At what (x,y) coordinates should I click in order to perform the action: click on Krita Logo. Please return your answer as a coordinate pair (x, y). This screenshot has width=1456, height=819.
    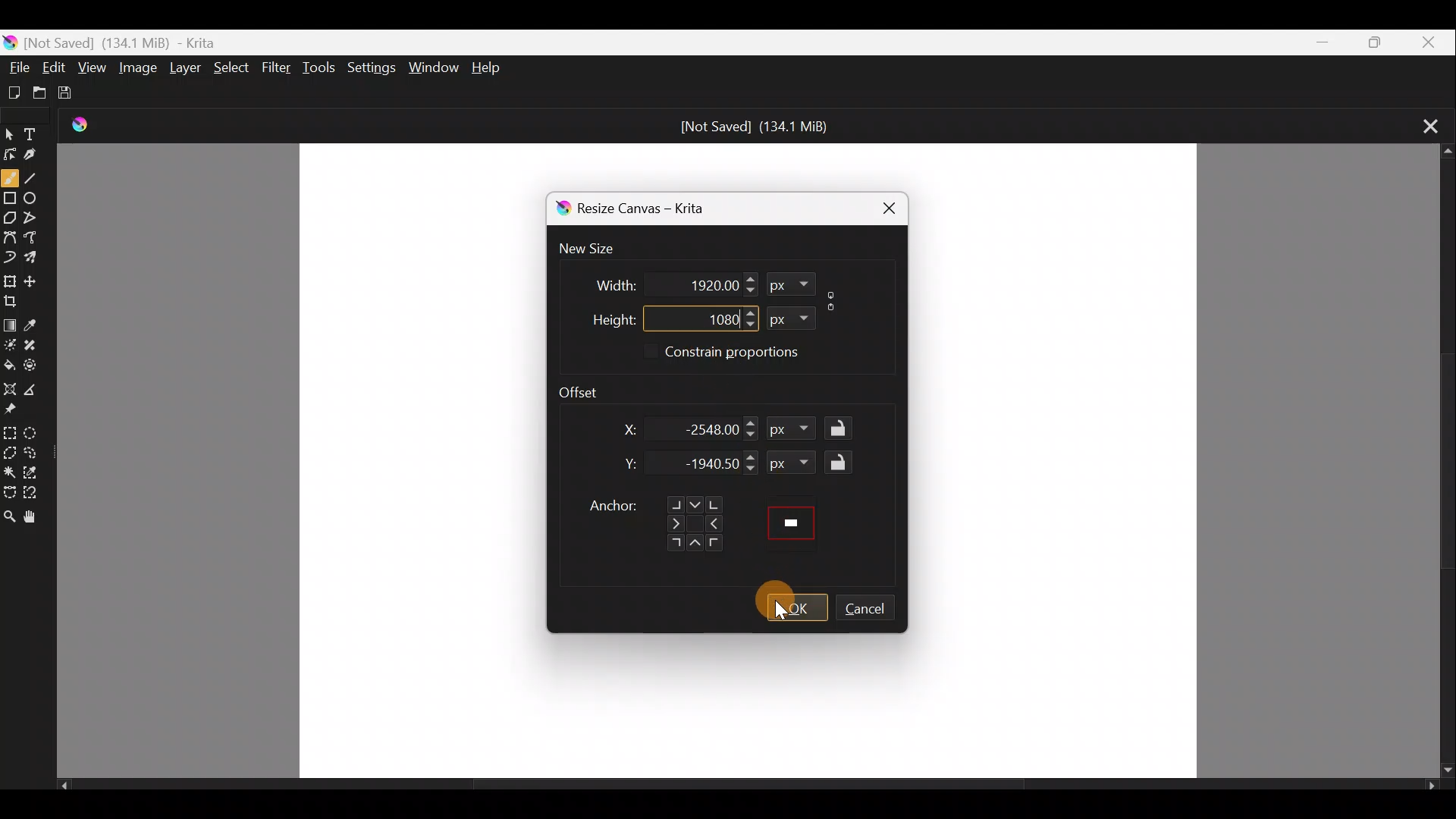
    Looking at the image, I should click on (86, 124).